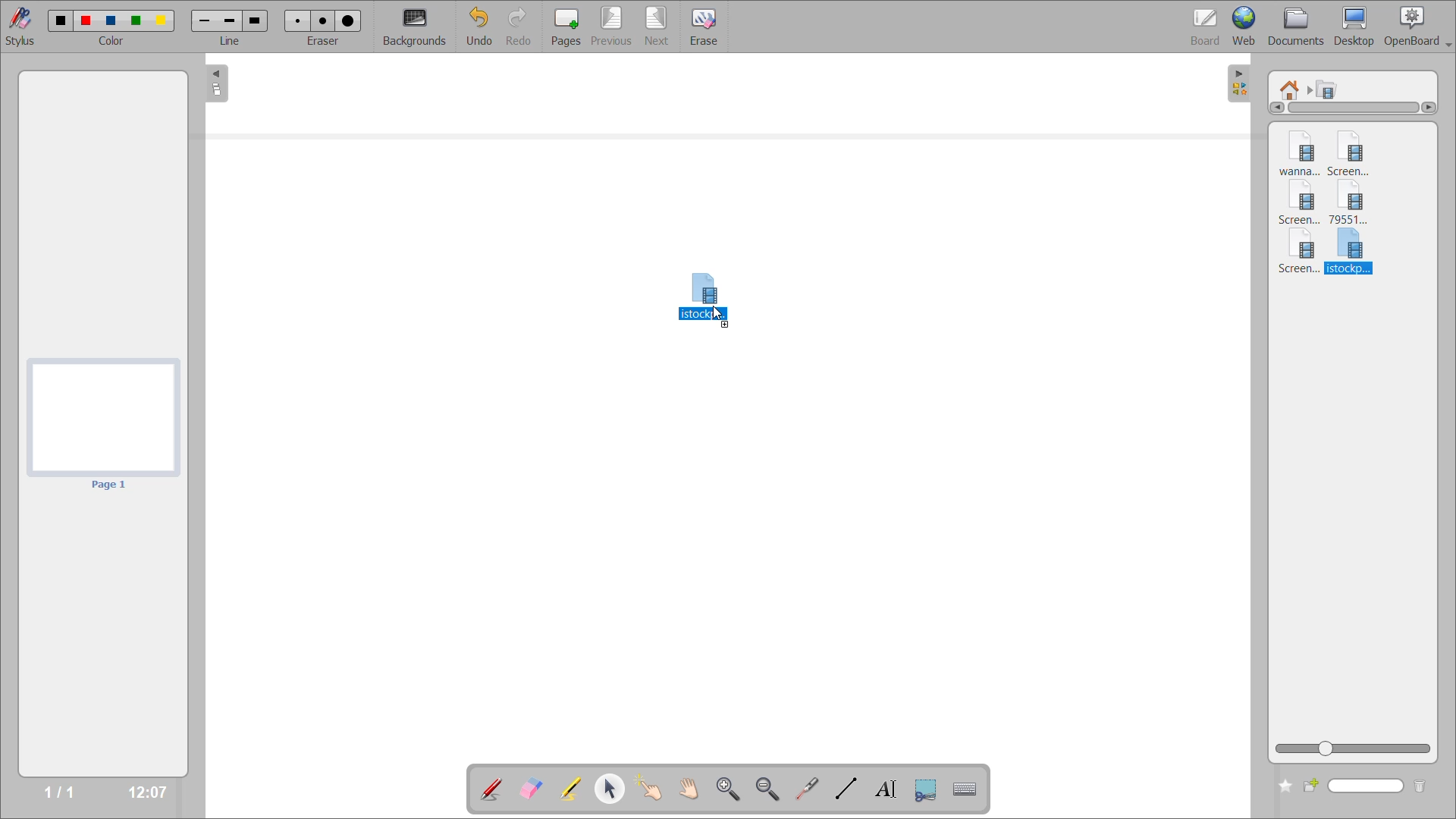 This screenshot has width=1456, height=819. What do you see at coordinates (1356, 748) in the screenshot?
I see `zoom slider` at bounding box center [1356, 748].